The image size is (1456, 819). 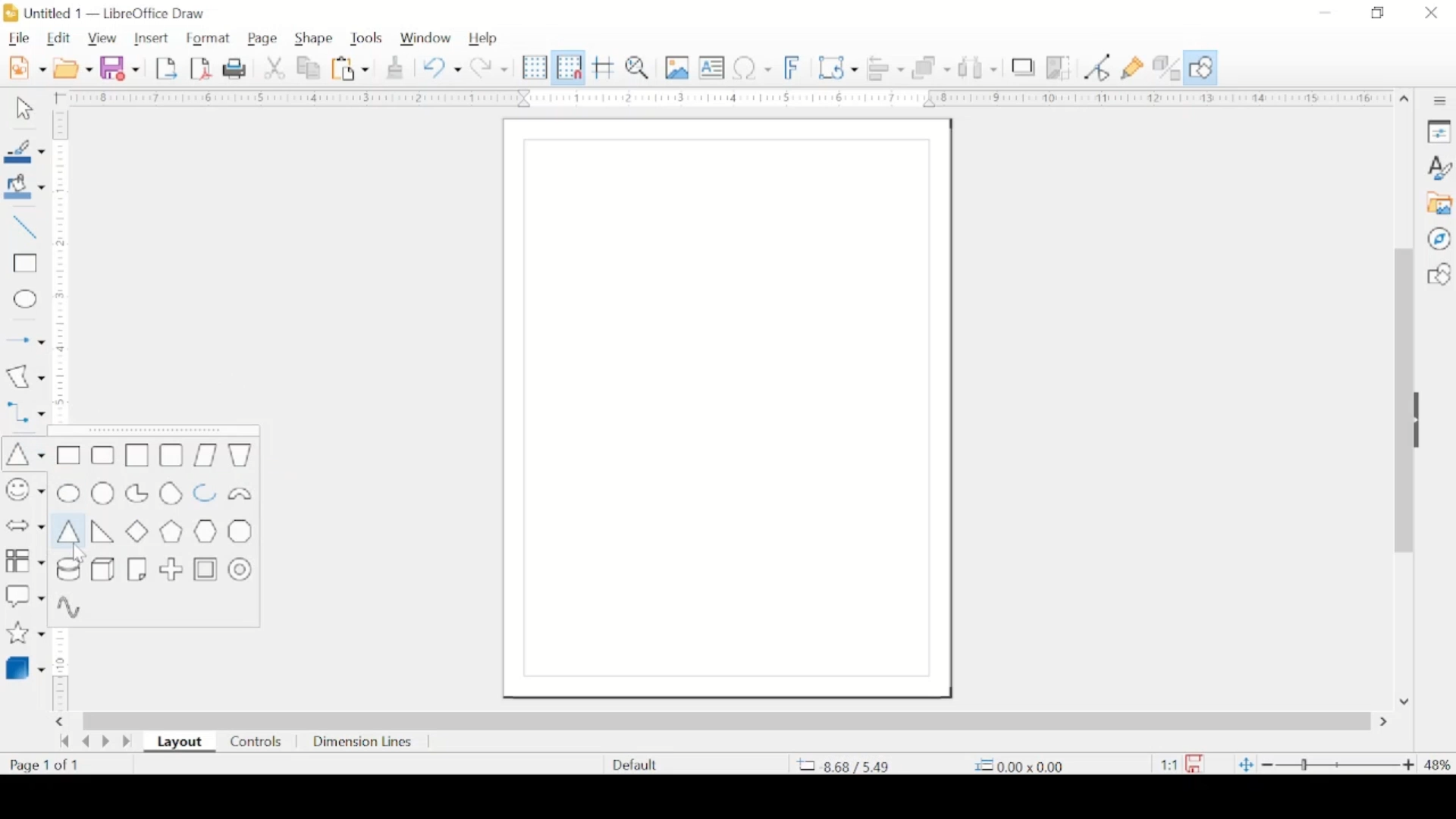 What do you see at coordinates (1438, 764) in the screenshot?
I see `zoom level` at bounding box center [1438, 764].